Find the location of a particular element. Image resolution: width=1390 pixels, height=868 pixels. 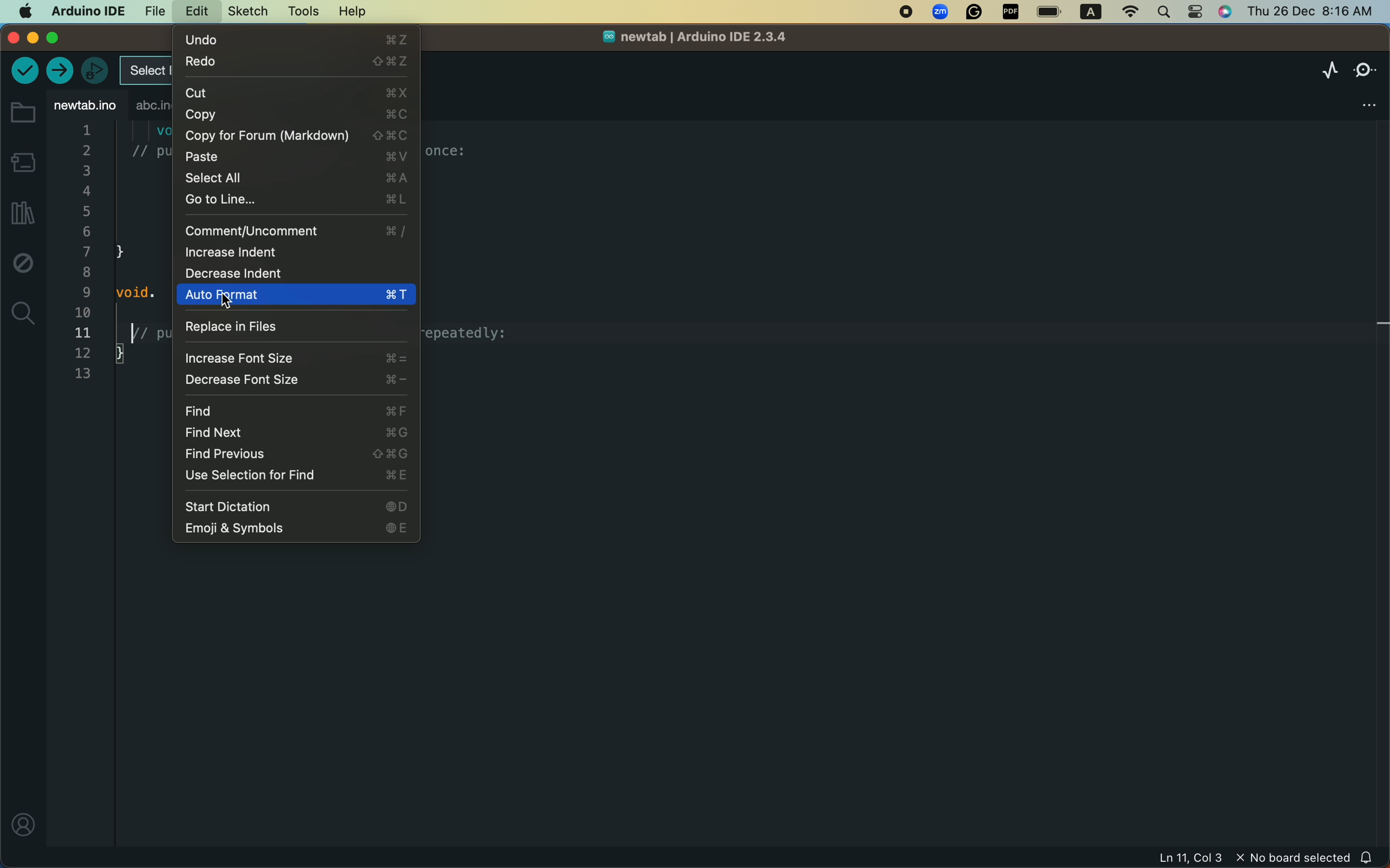

setting is located at coordinates (1196, 12).